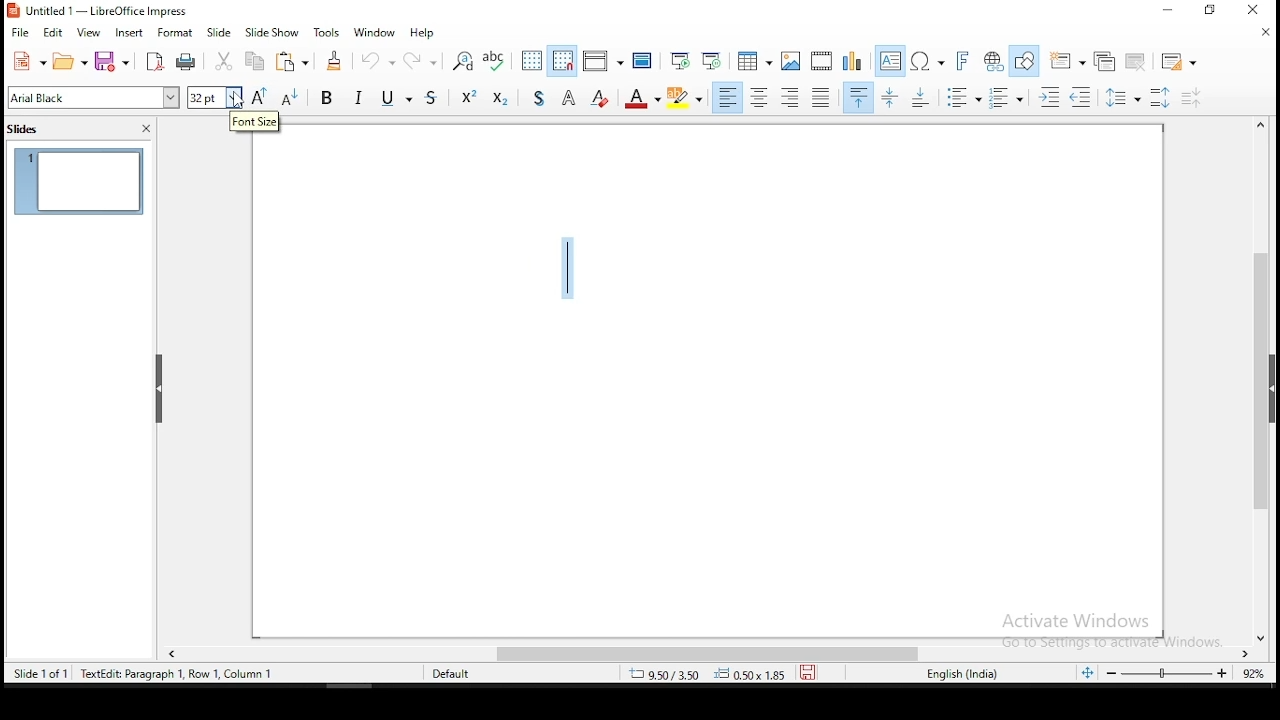 The width and height of the screenshot is (1280, 720). What do you see at coordinates (539, 96) in the screenshot?
I see `Shadow` at bounding box center [539, 96].